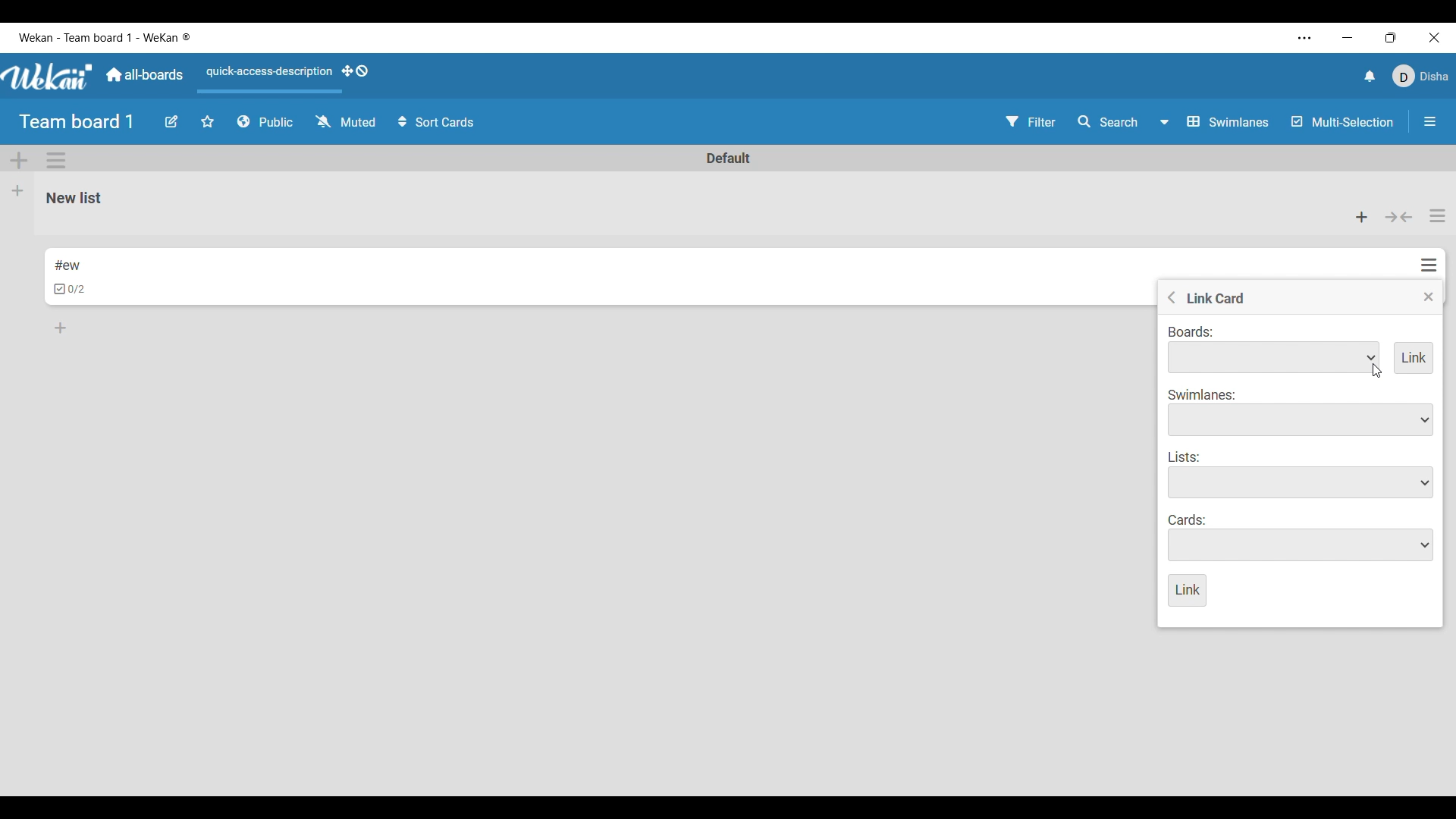 This screenshot has height=819, width=1456. I want to click on Show interface in a smaller tab, so click(1391, 38).